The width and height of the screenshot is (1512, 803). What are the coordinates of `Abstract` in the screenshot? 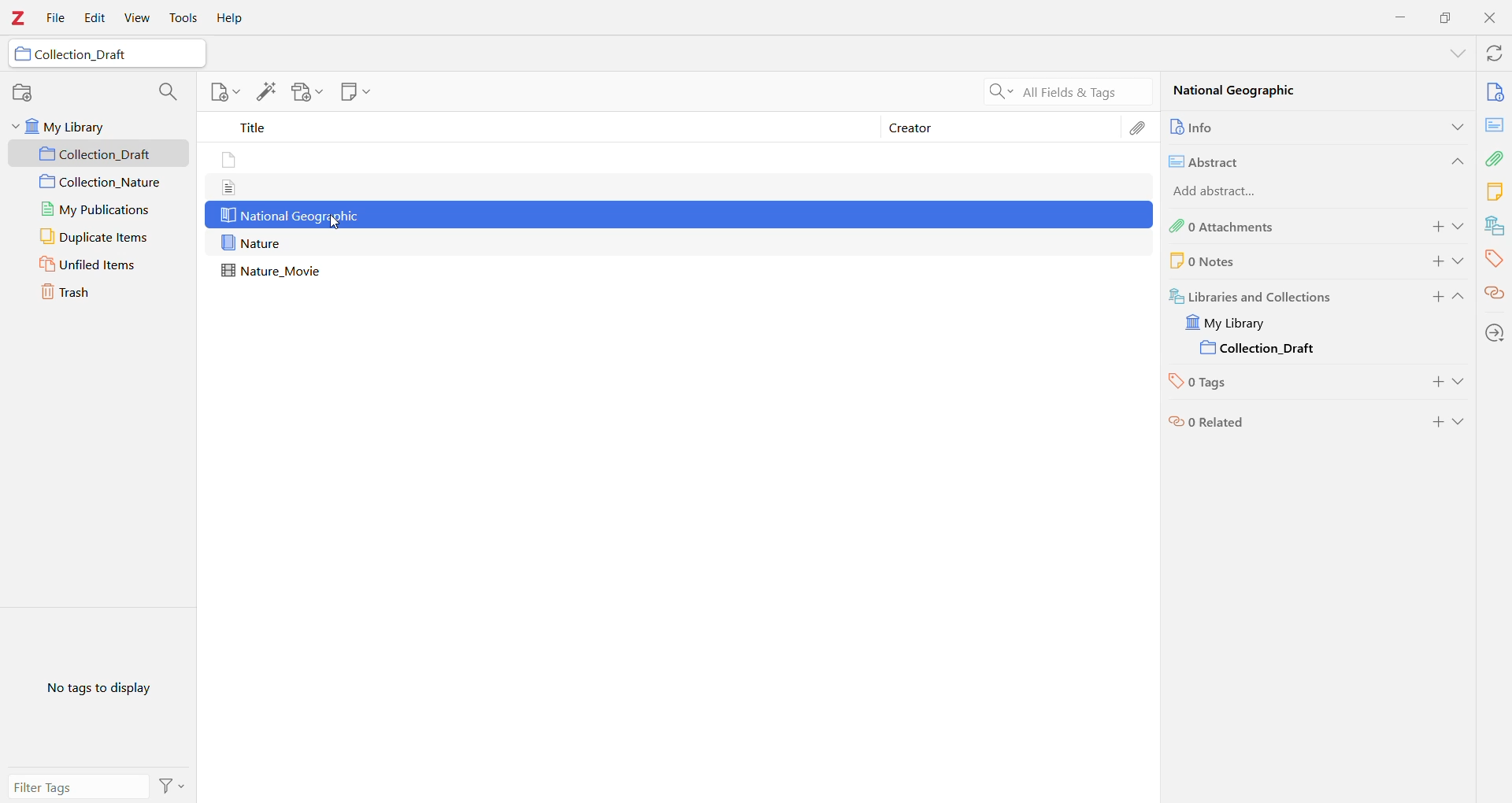 It's located at (1495, 124).